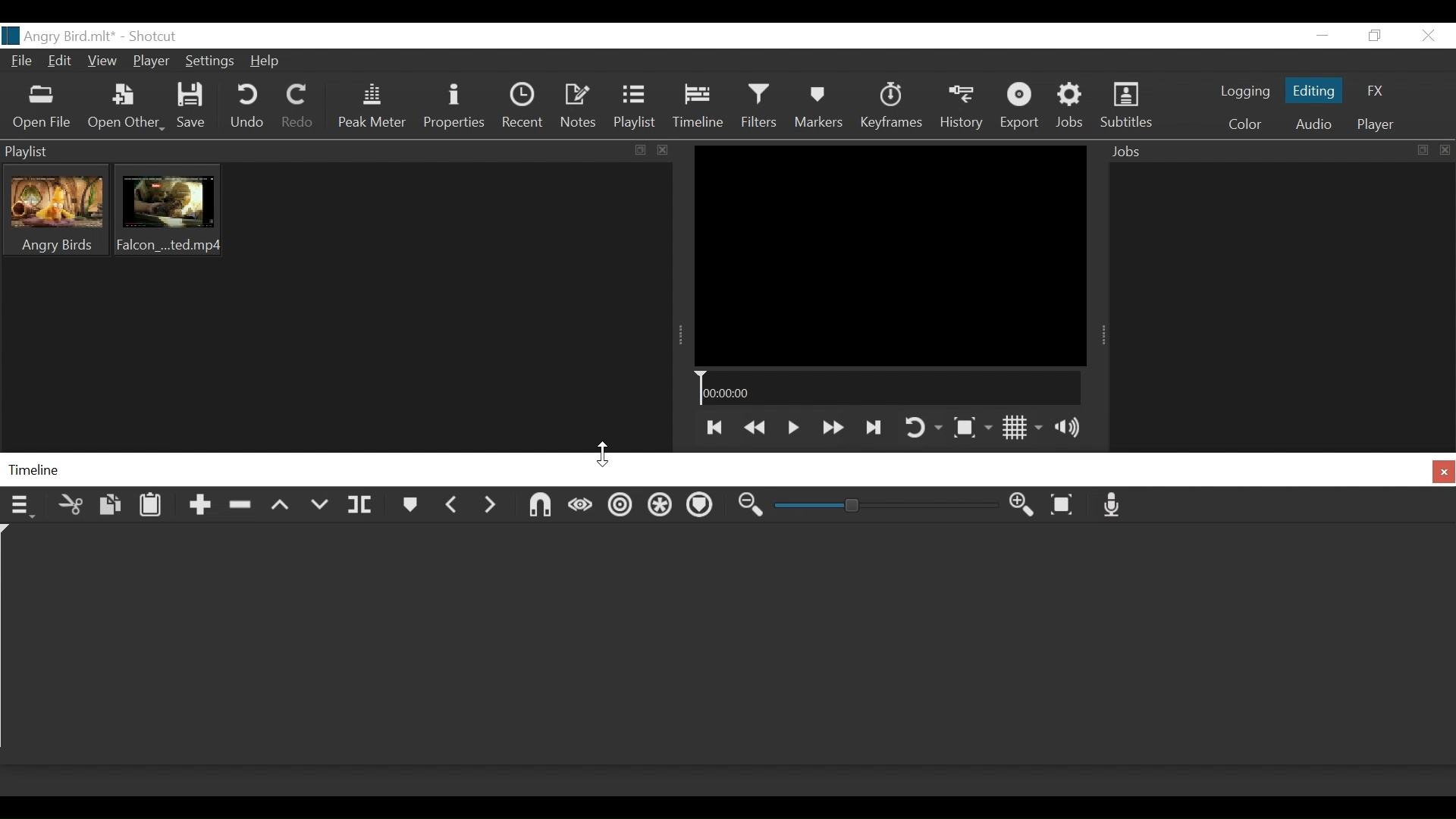 The height and width of the screenshot is (819, 1456). I want to click on Skip to te previous point, so click(713, 428).